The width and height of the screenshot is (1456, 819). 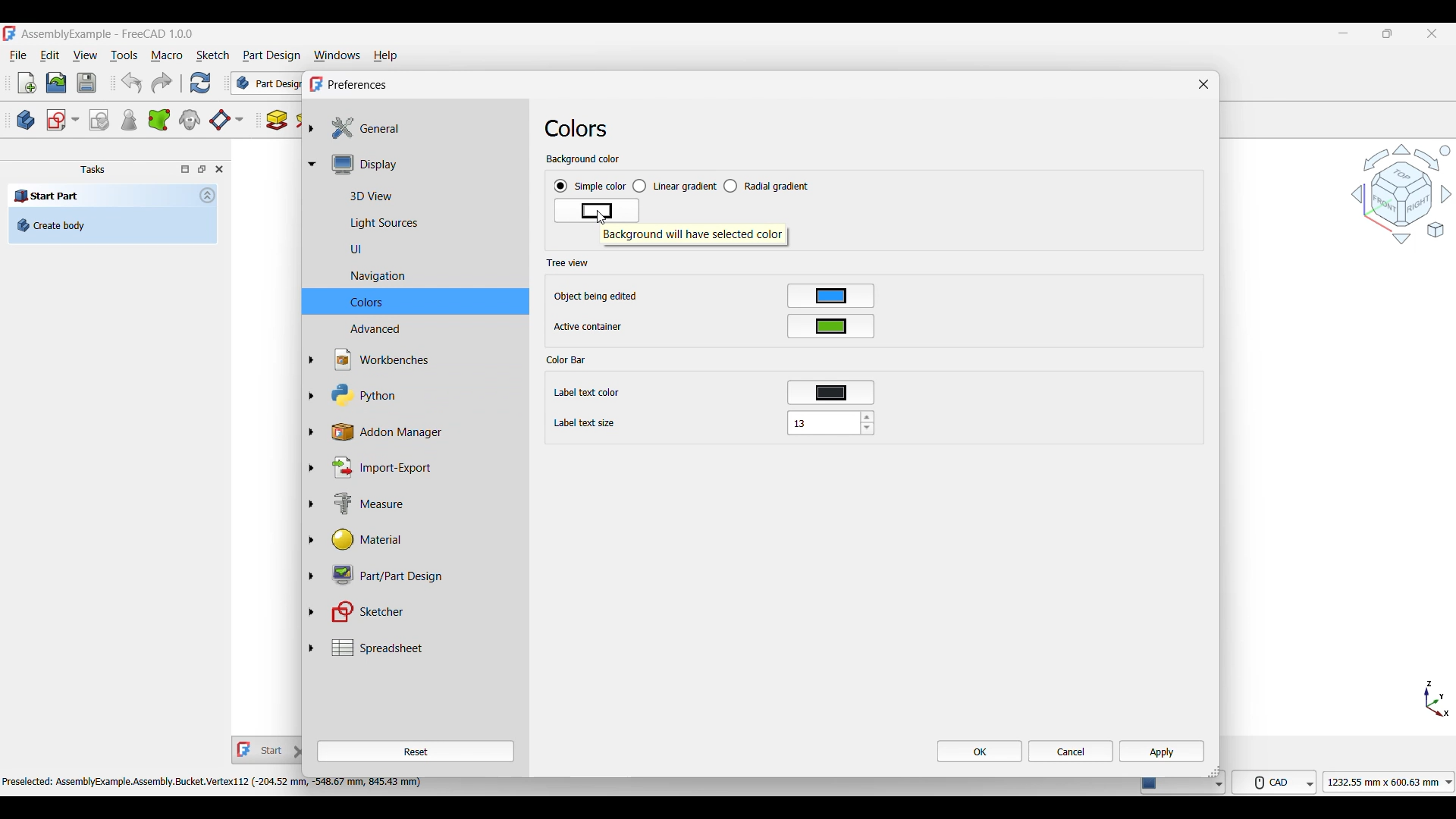 What do you see at coordinates (190, 119) in the screenshot?
I see `Create a clone` at bounding box center [190, 119].